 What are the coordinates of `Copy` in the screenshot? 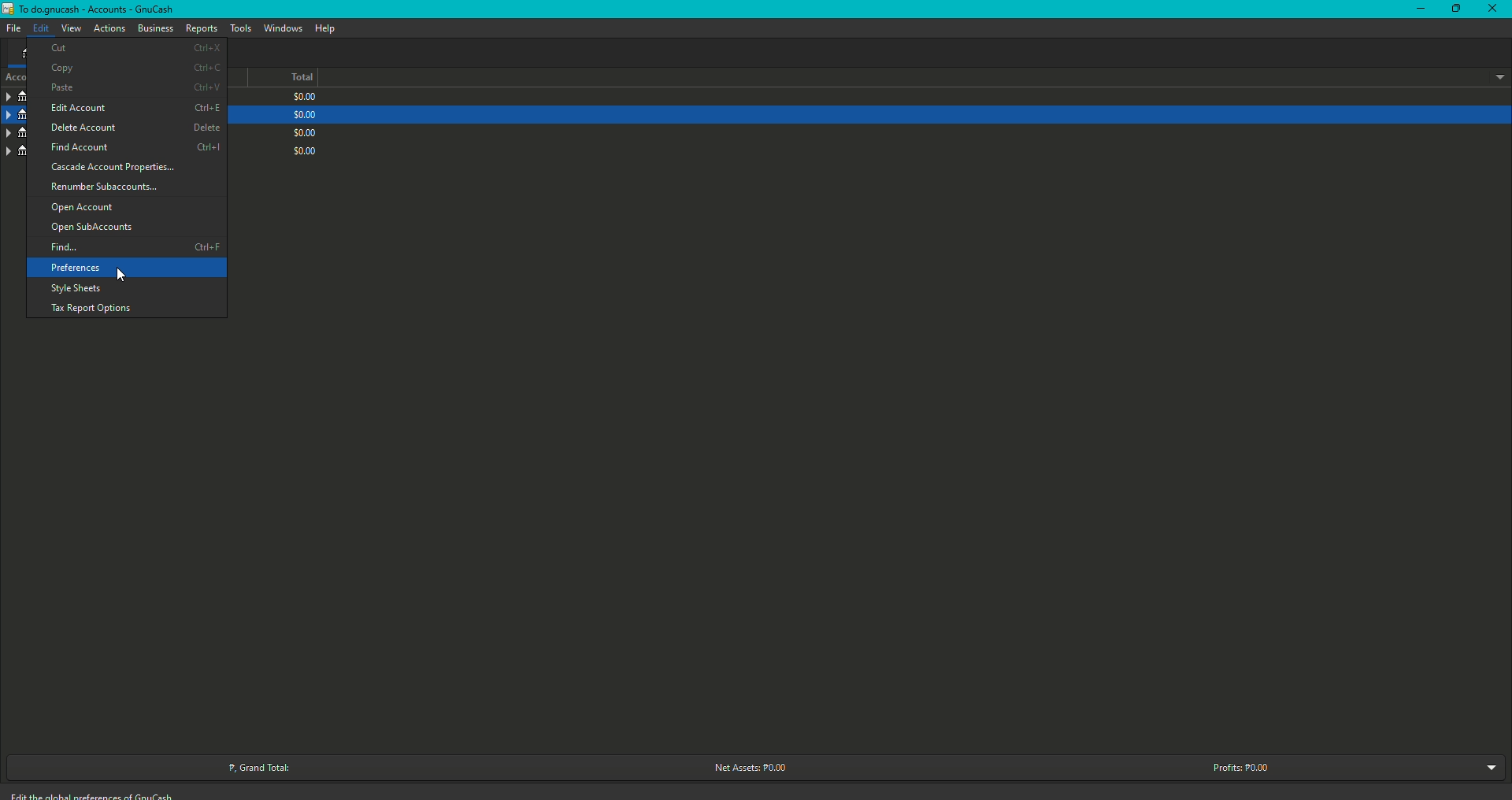 It's located at (134, 71).